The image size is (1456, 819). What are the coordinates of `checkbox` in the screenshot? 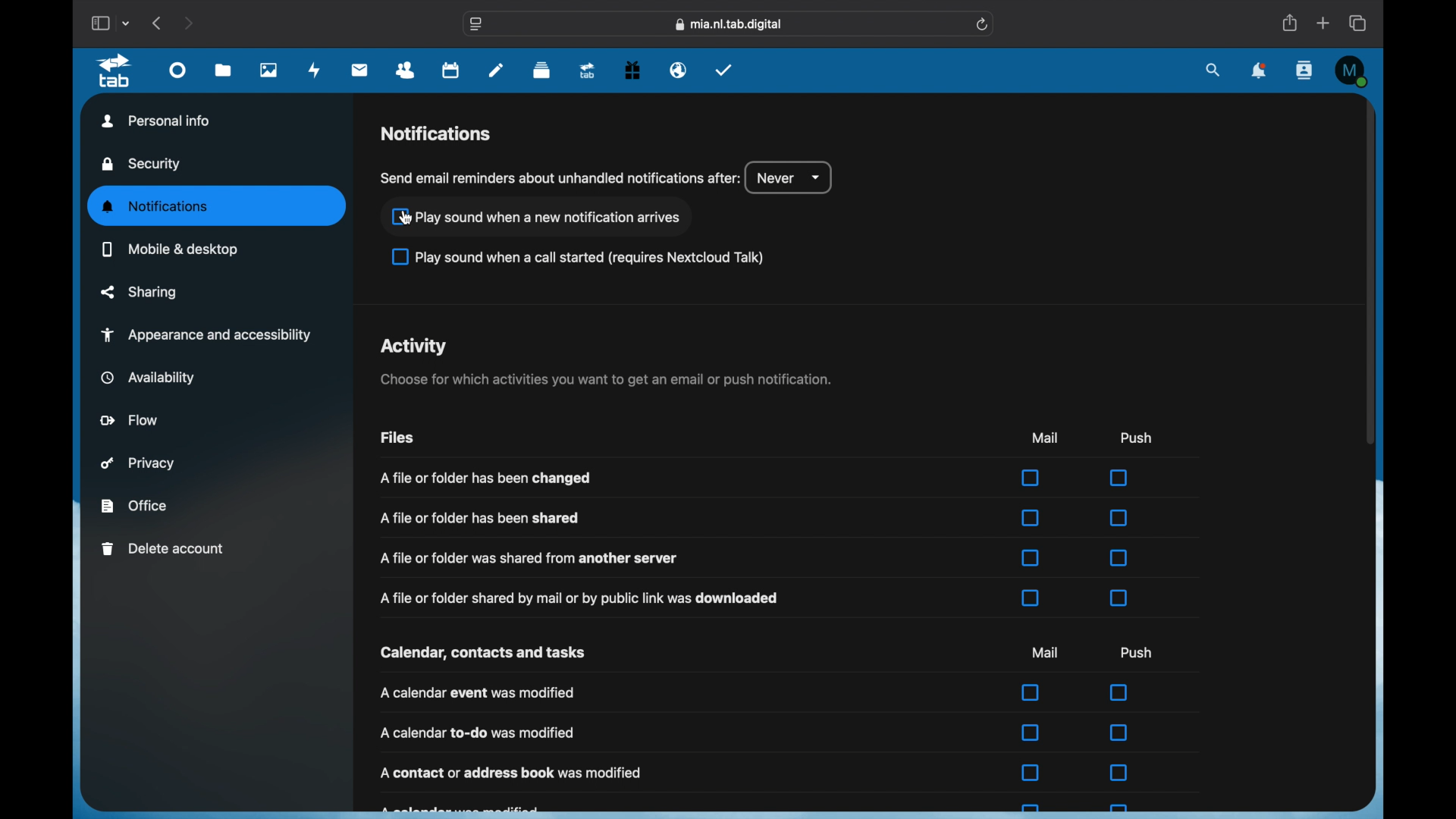 It's located at (1031, 598).